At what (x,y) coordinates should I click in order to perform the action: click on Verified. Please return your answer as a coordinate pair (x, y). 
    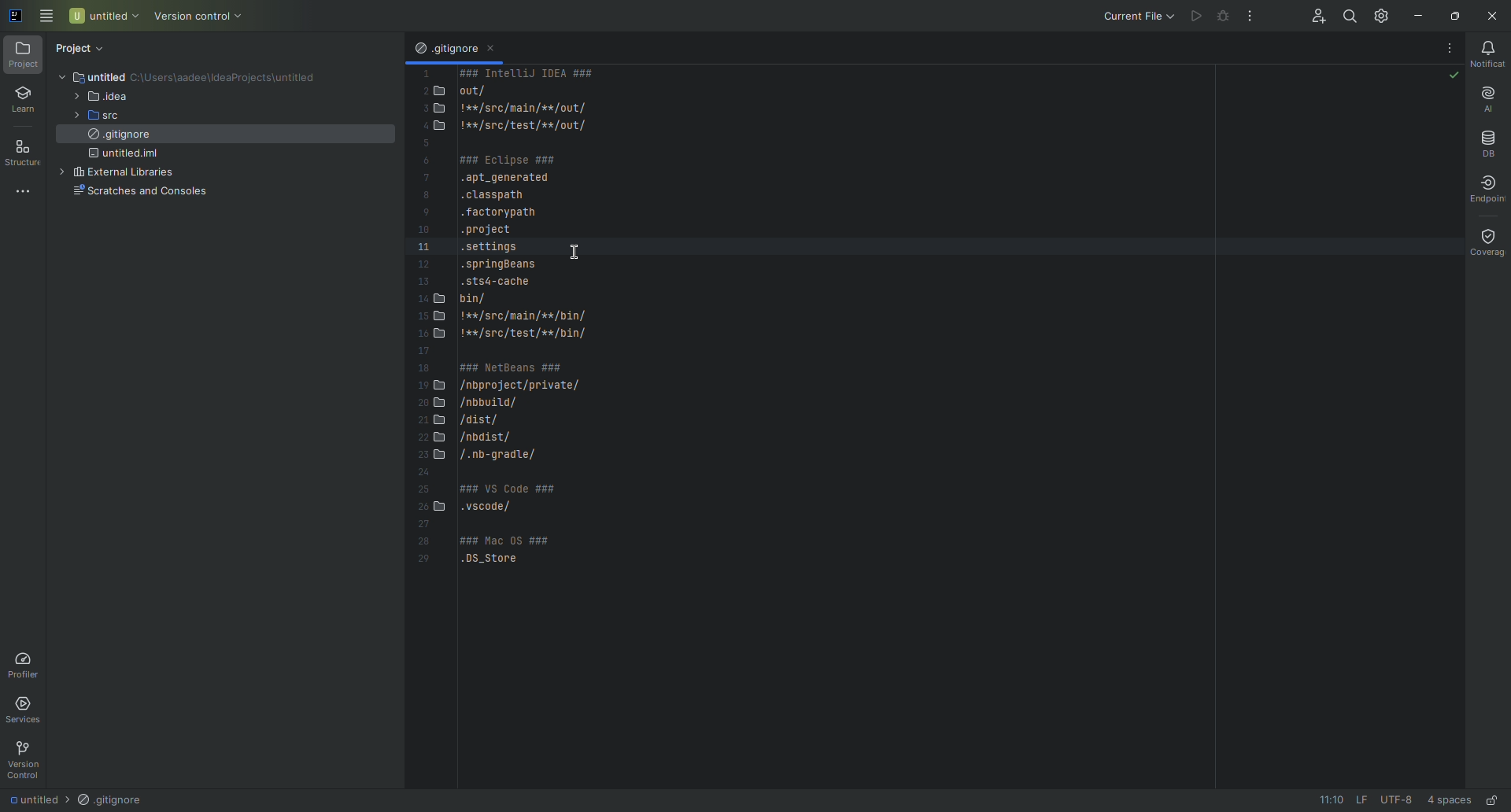
    Looking at the image, I should click on (1452, 76).